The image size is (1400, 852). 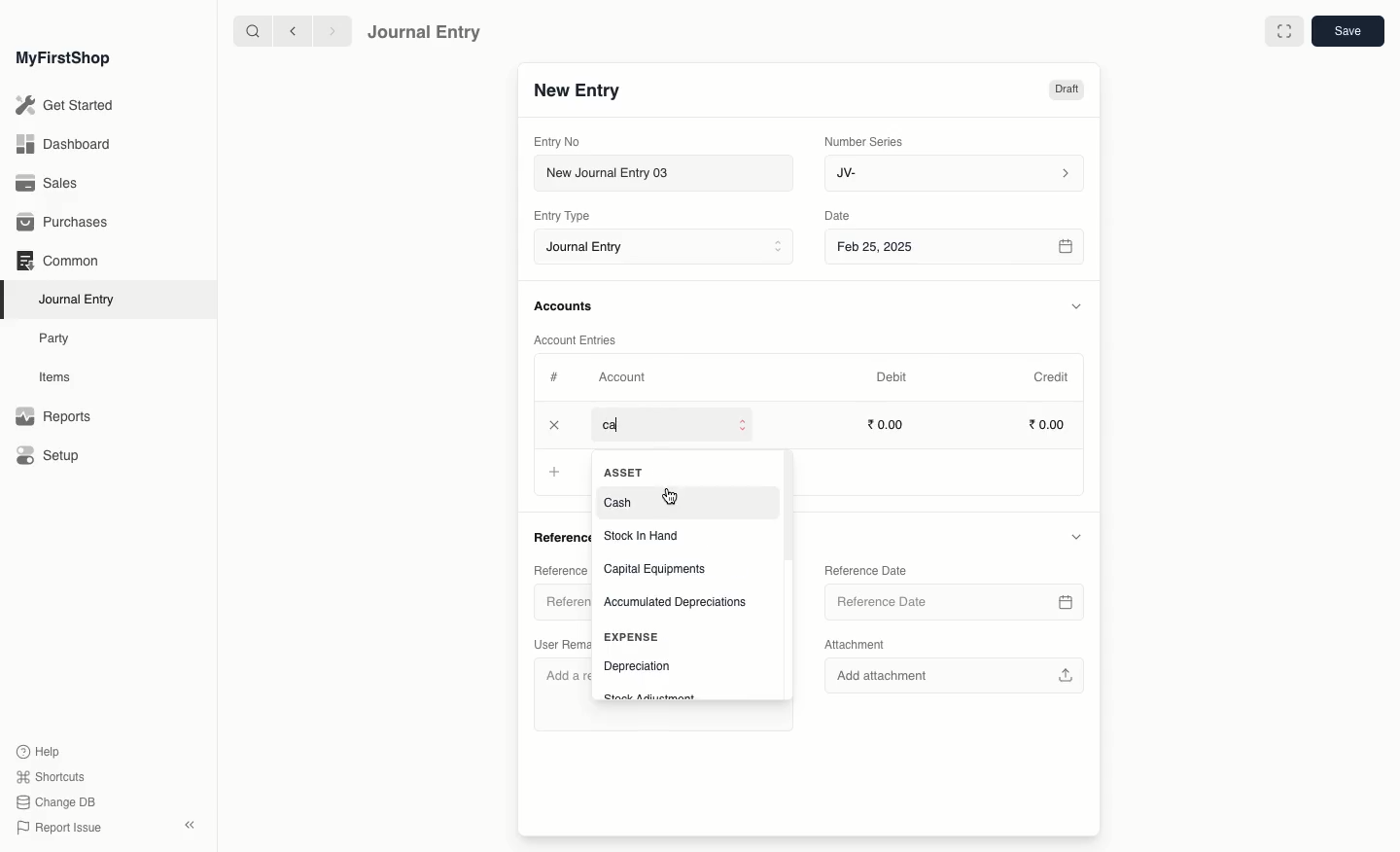 What do you see at coordinates (1347, 32) in the screenshot?
I see `save` at bounding box center [1347, 32].